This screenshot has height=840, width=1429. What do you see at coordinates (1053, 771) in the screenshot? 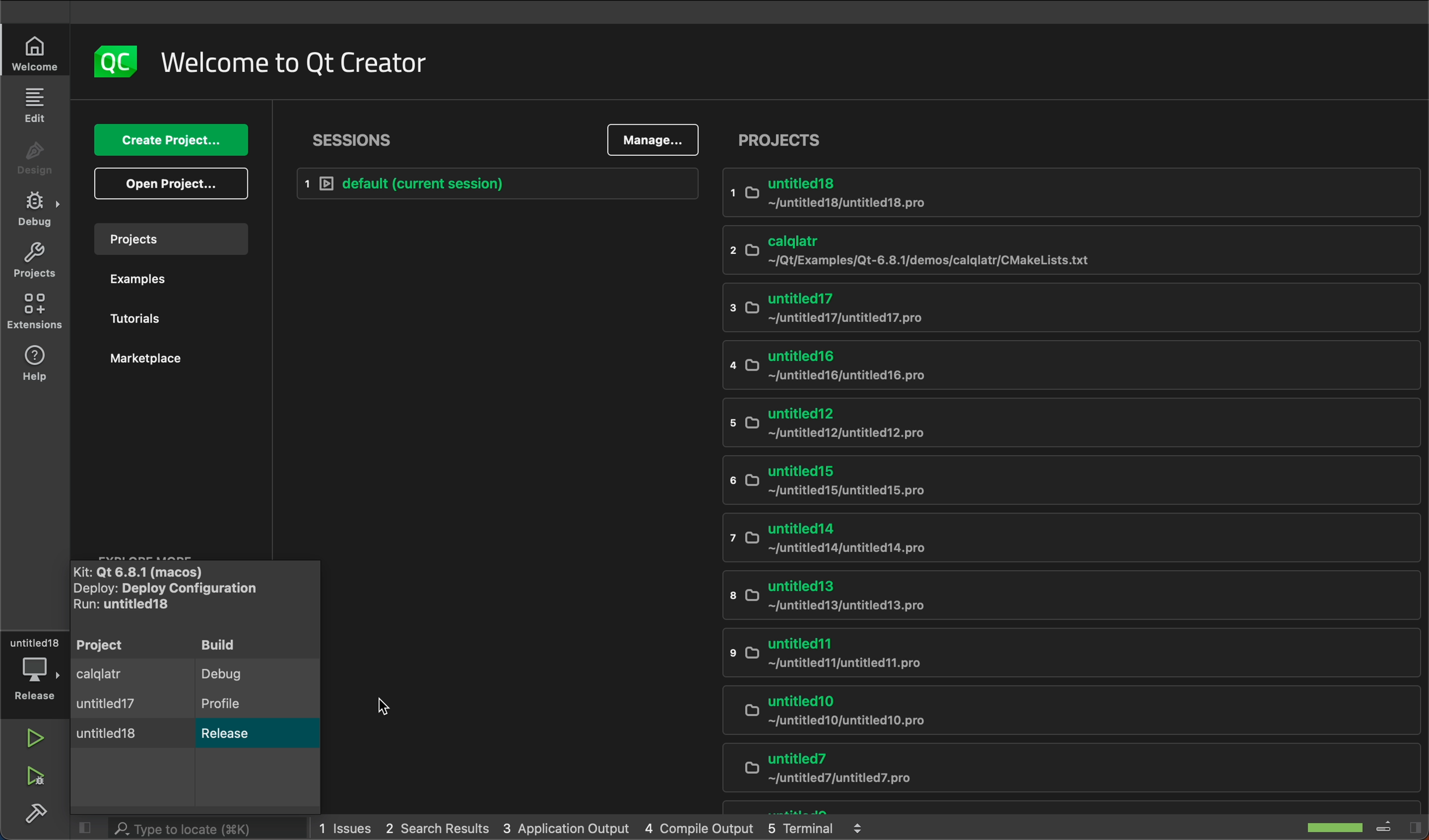
I see `untitled7` at bounding box center [1053, 771].